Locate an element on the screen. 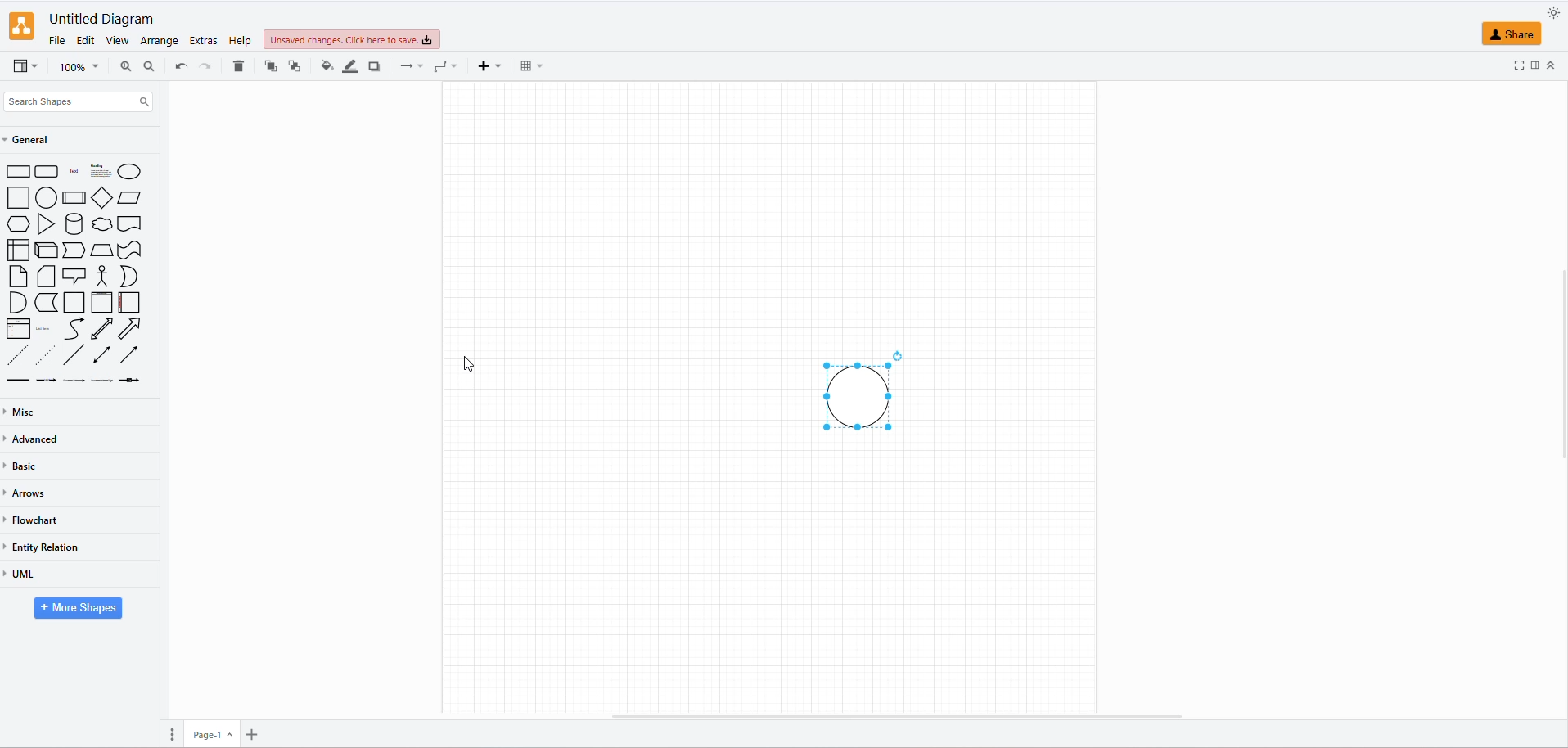 Image resolution: width=1568 pixels, height=748 pixels. PAGES is located at coordinates (166, 732).